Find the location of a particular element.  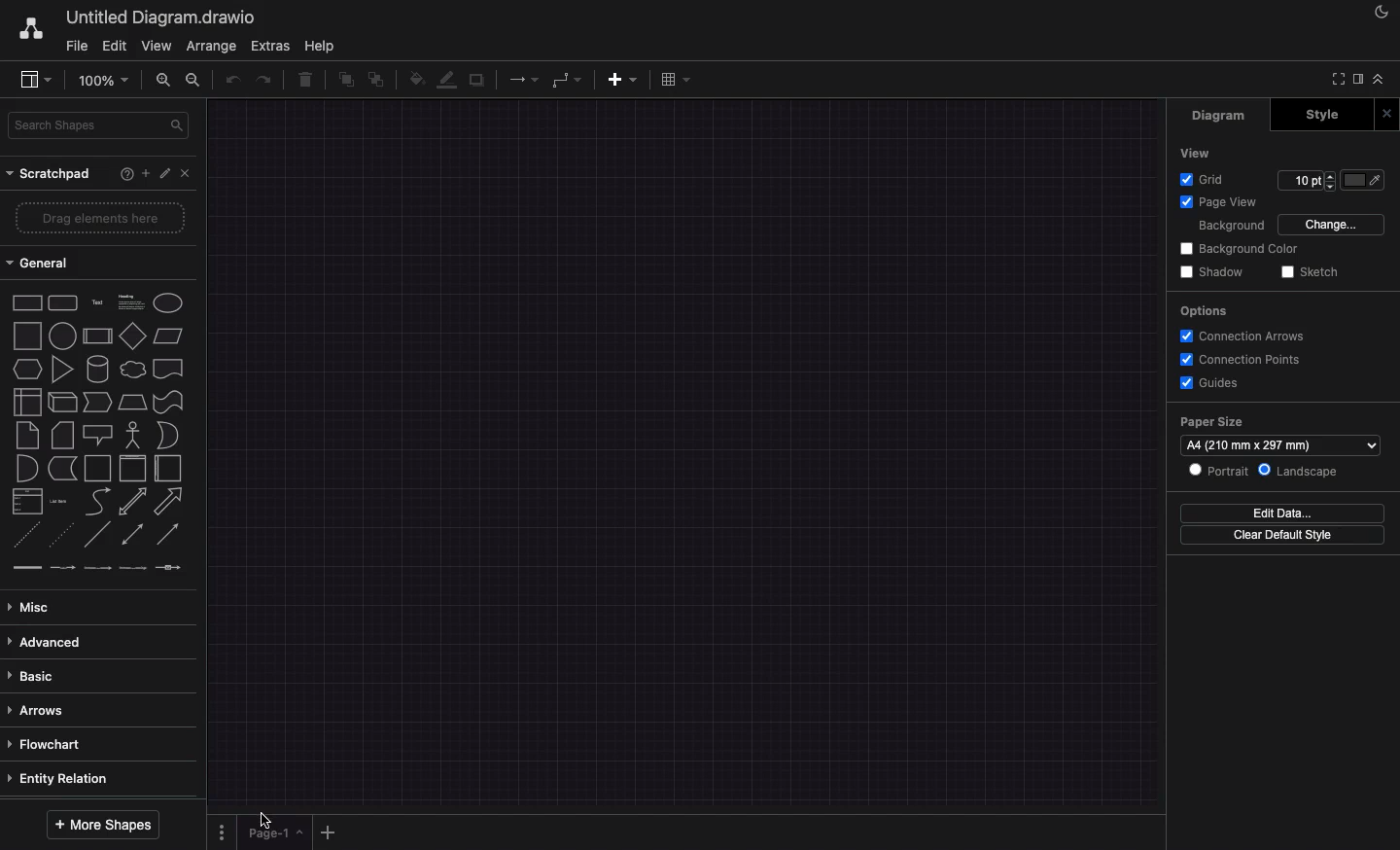

search shapes is located at coordinates (95, 125).